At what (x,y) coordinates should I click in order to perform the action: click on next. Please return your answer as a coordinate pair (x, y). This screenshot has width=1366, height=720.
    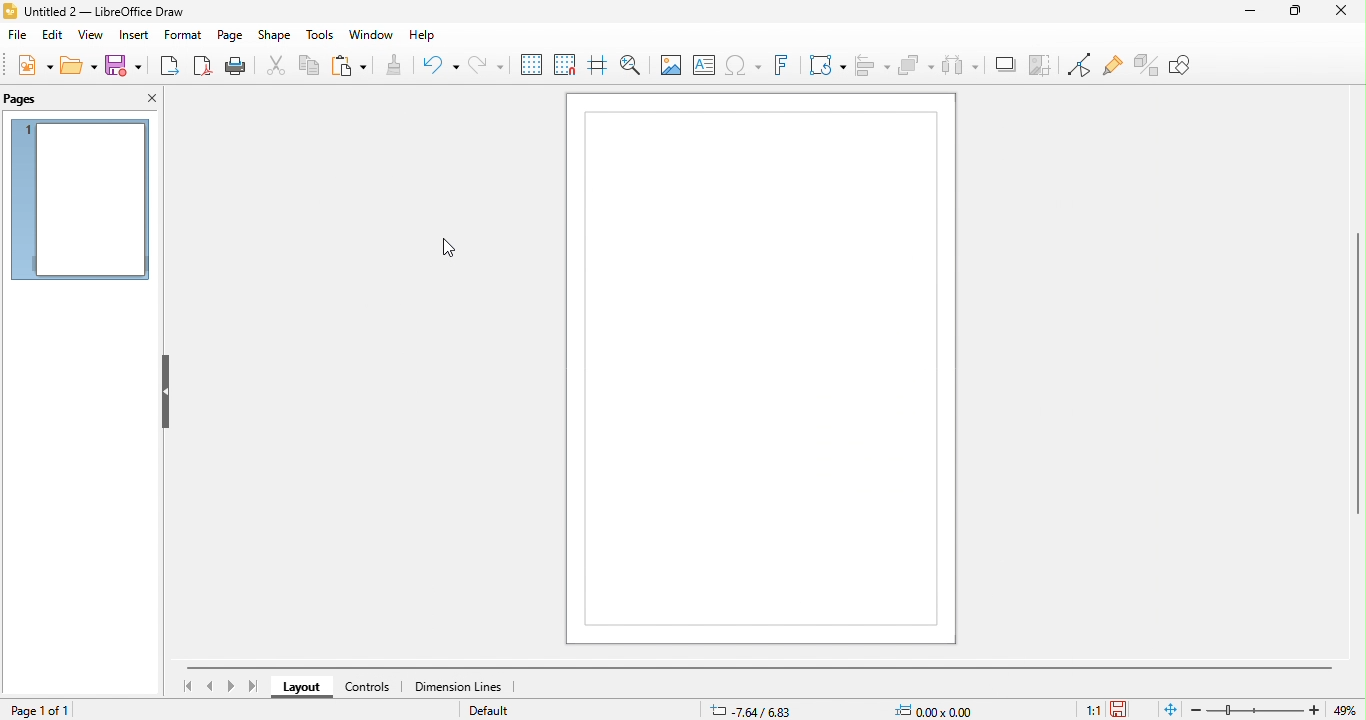
    Looking at the image, I should click on (229, 687).